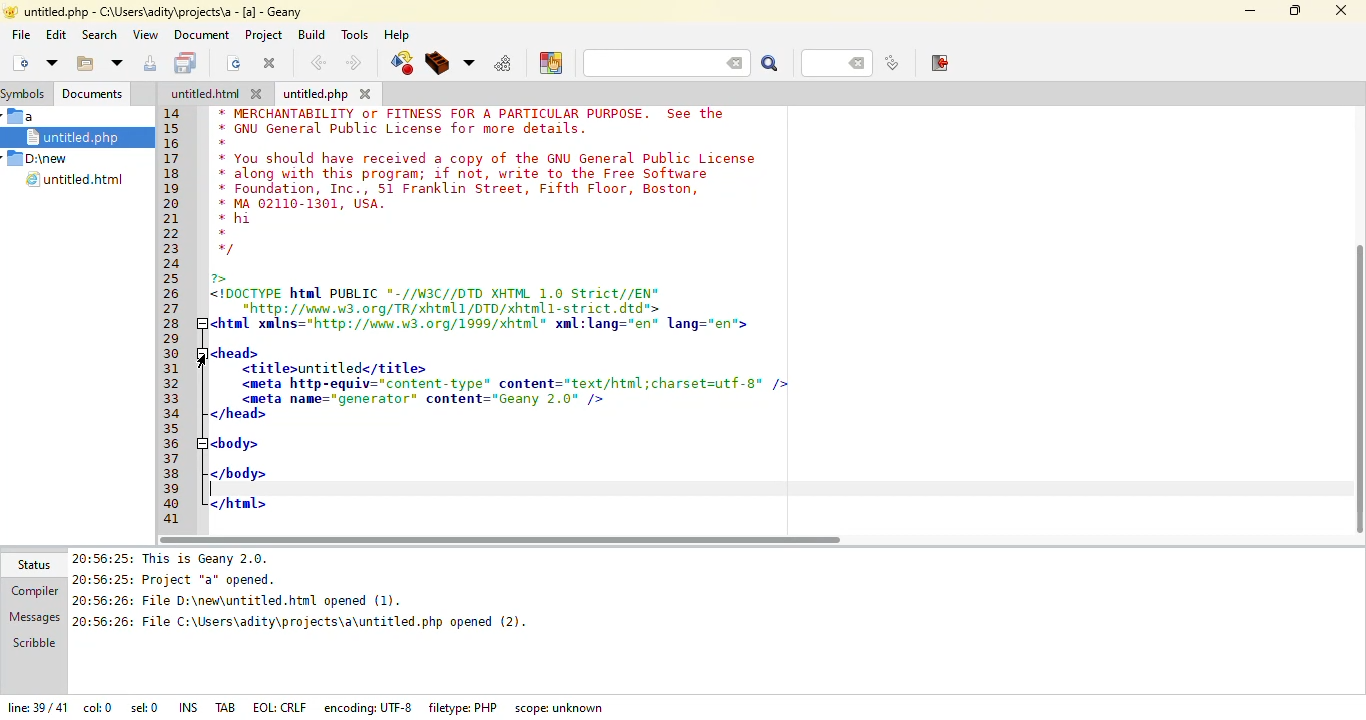  Describe the element at coordinates (646, 64) in the screenshot. I see `search` at that location.